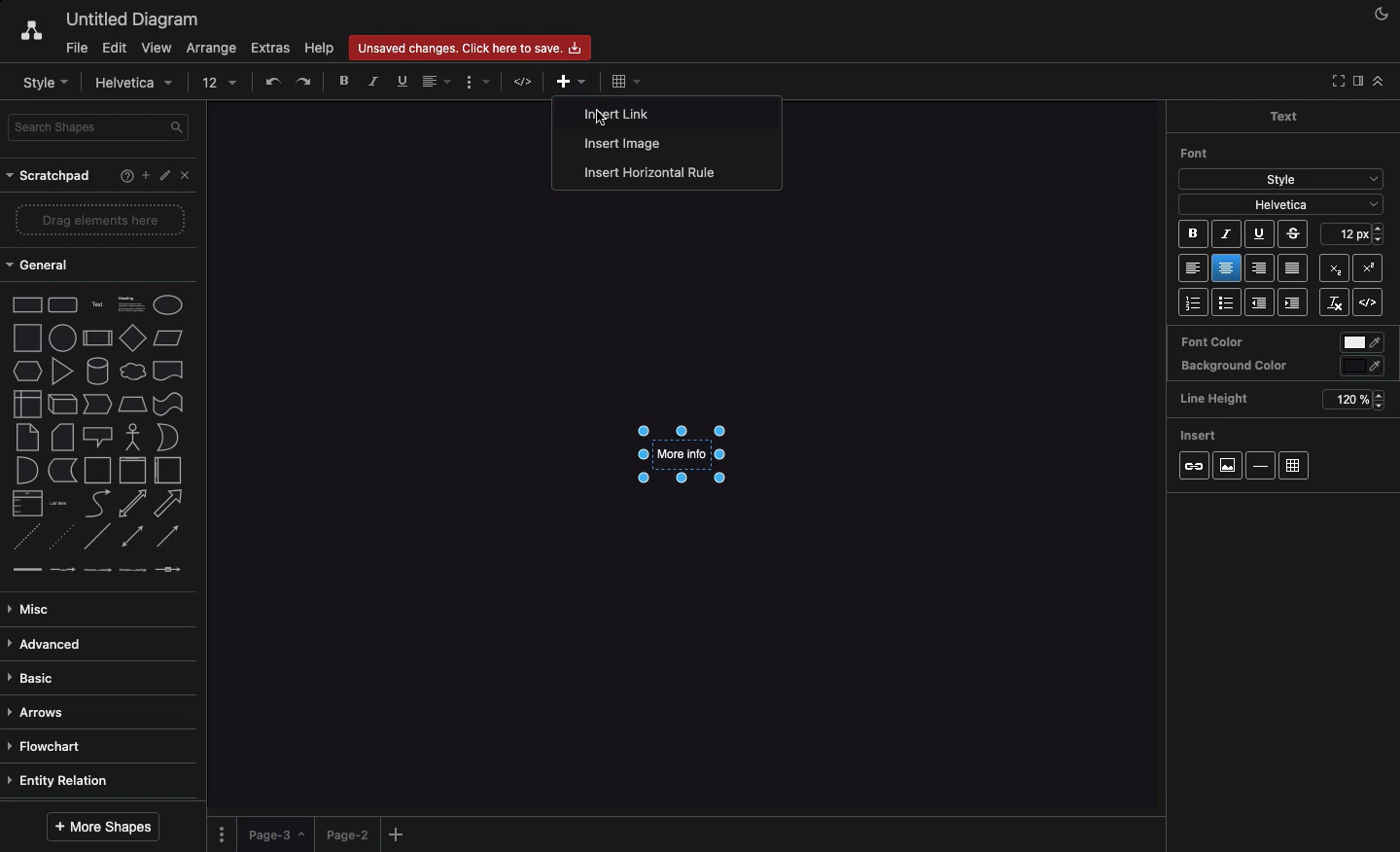 Image resolution: width=1400 pixels, height=852 pixels. I want to click on Scratchpad, so click(52, 177).